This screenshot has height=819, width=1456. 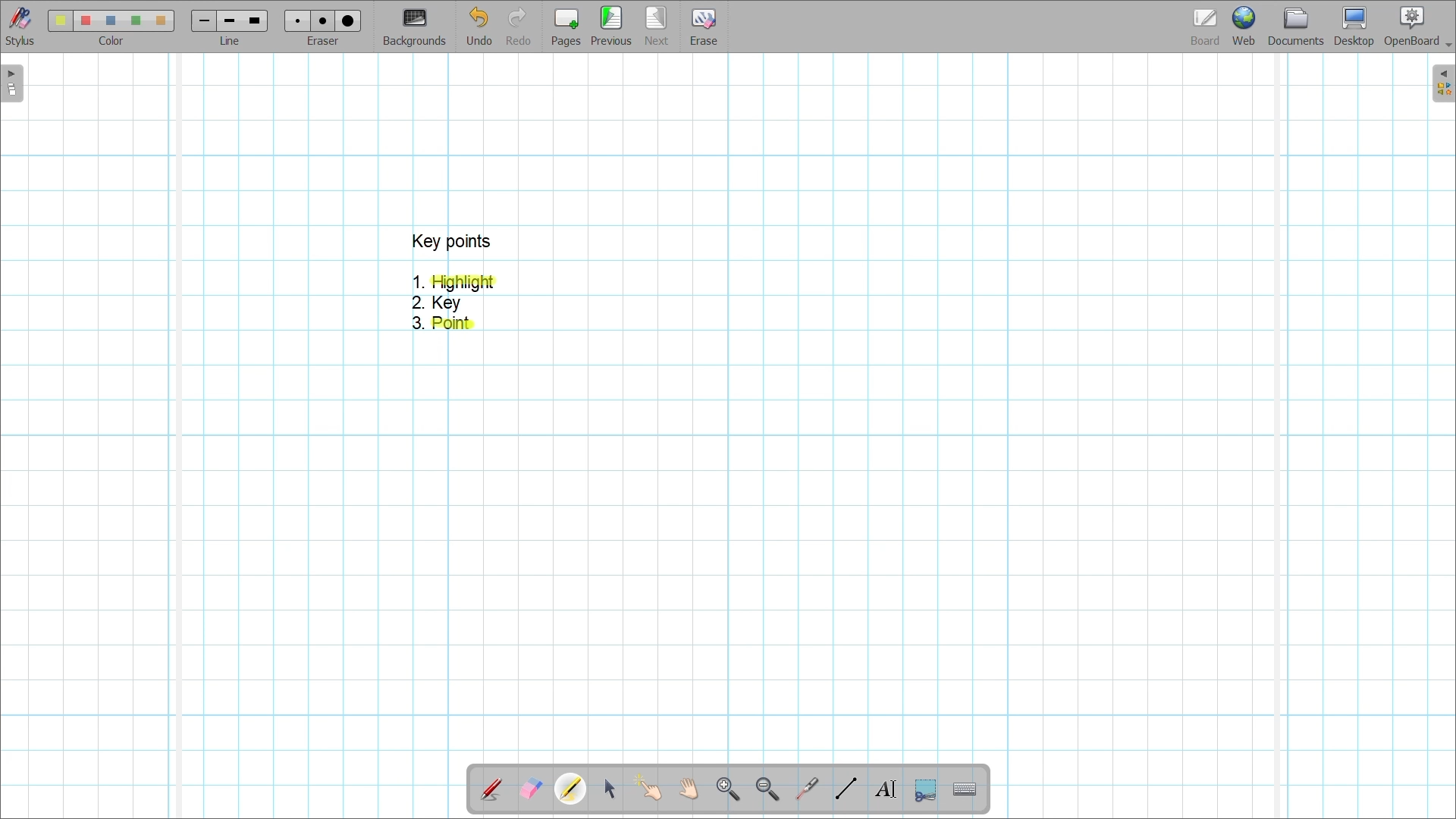 What do you see at coordinates (846, 789) in the screenshot?
I see `Draw lines` at bounding box center [846, 789].